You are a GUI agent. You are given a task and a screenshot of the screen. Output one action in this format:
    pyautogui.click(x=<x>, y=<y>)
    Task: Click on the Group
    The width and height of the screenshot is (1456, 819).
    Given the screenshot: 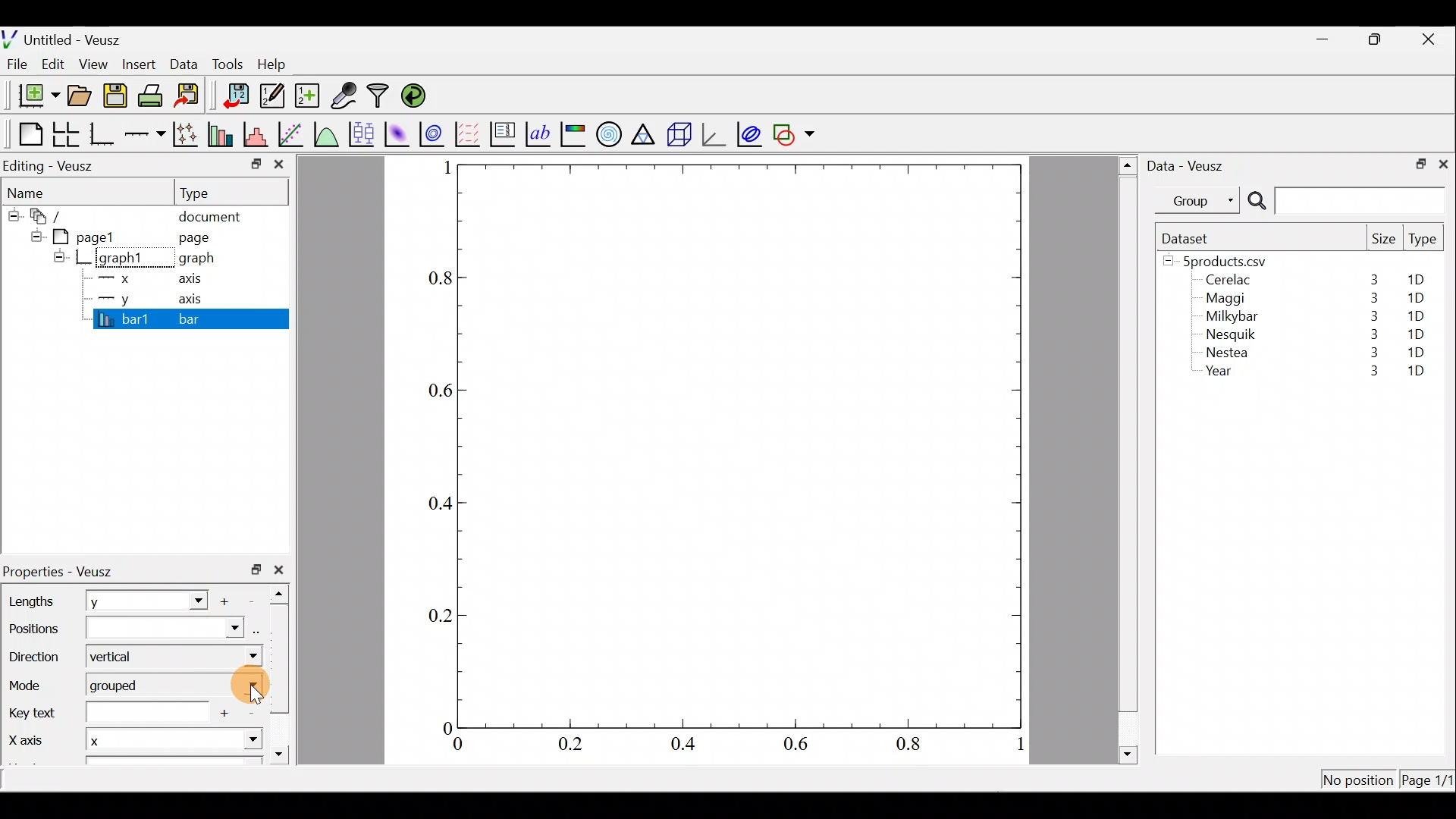 What is the action you would take?
    pyautogui.click(x=1200, y=199)
    